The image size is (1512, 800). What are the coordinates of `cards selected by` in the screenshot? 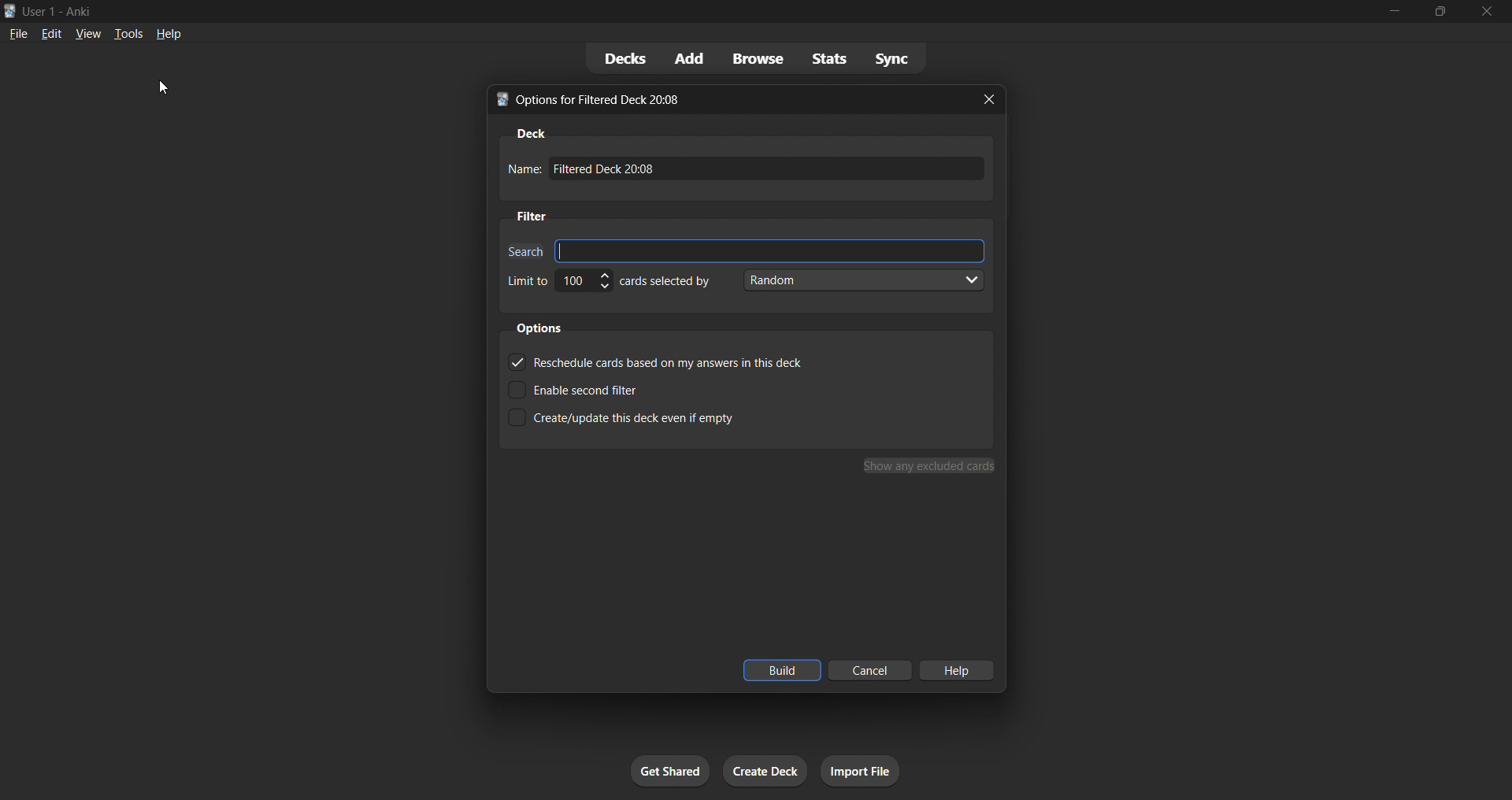 It's located at (665, 281).